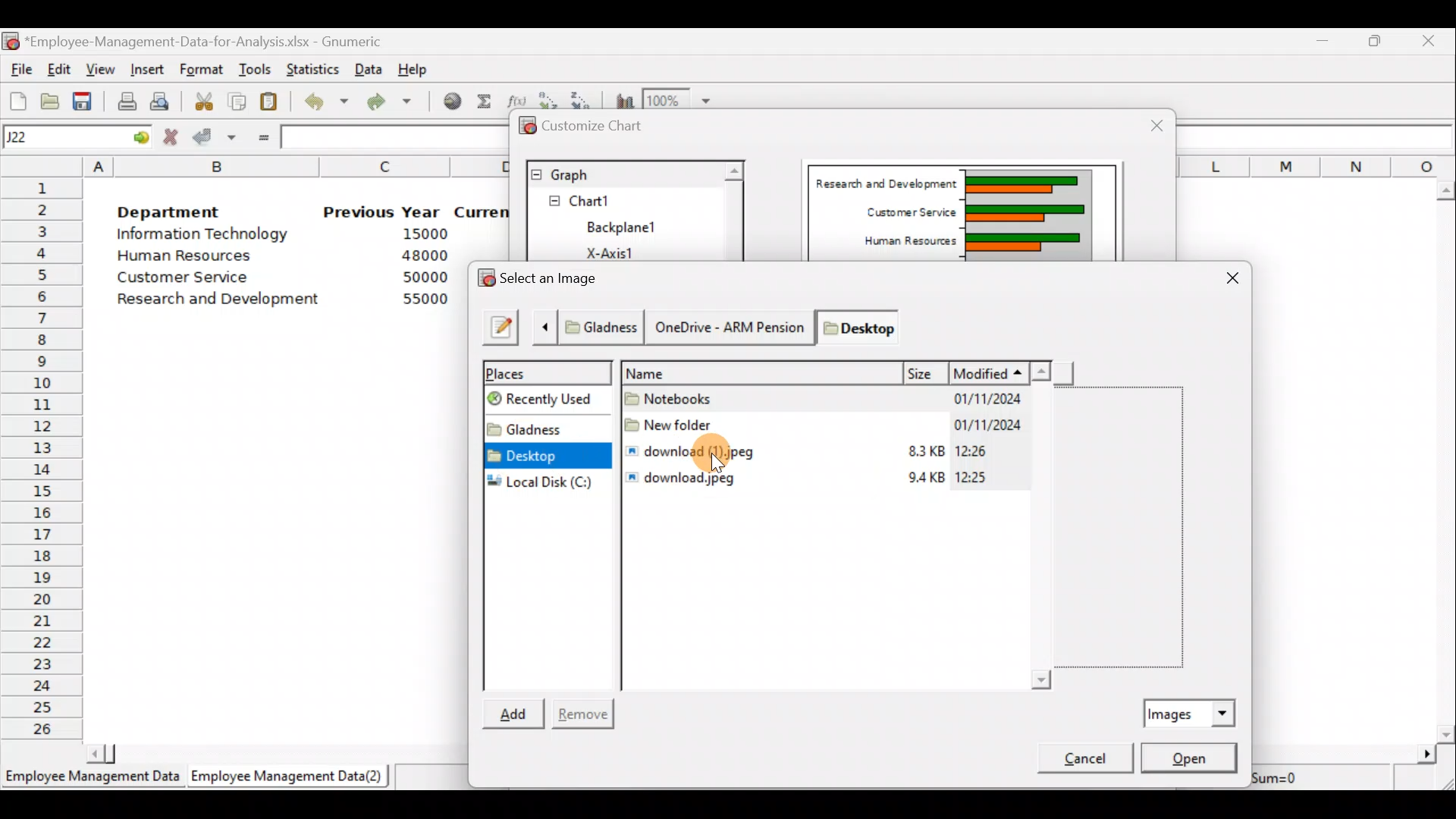 This screenshot has width=1456, height=819. Describe the element at coordinates (731, 451) in the screenshot. I see `Cursor` at that location.